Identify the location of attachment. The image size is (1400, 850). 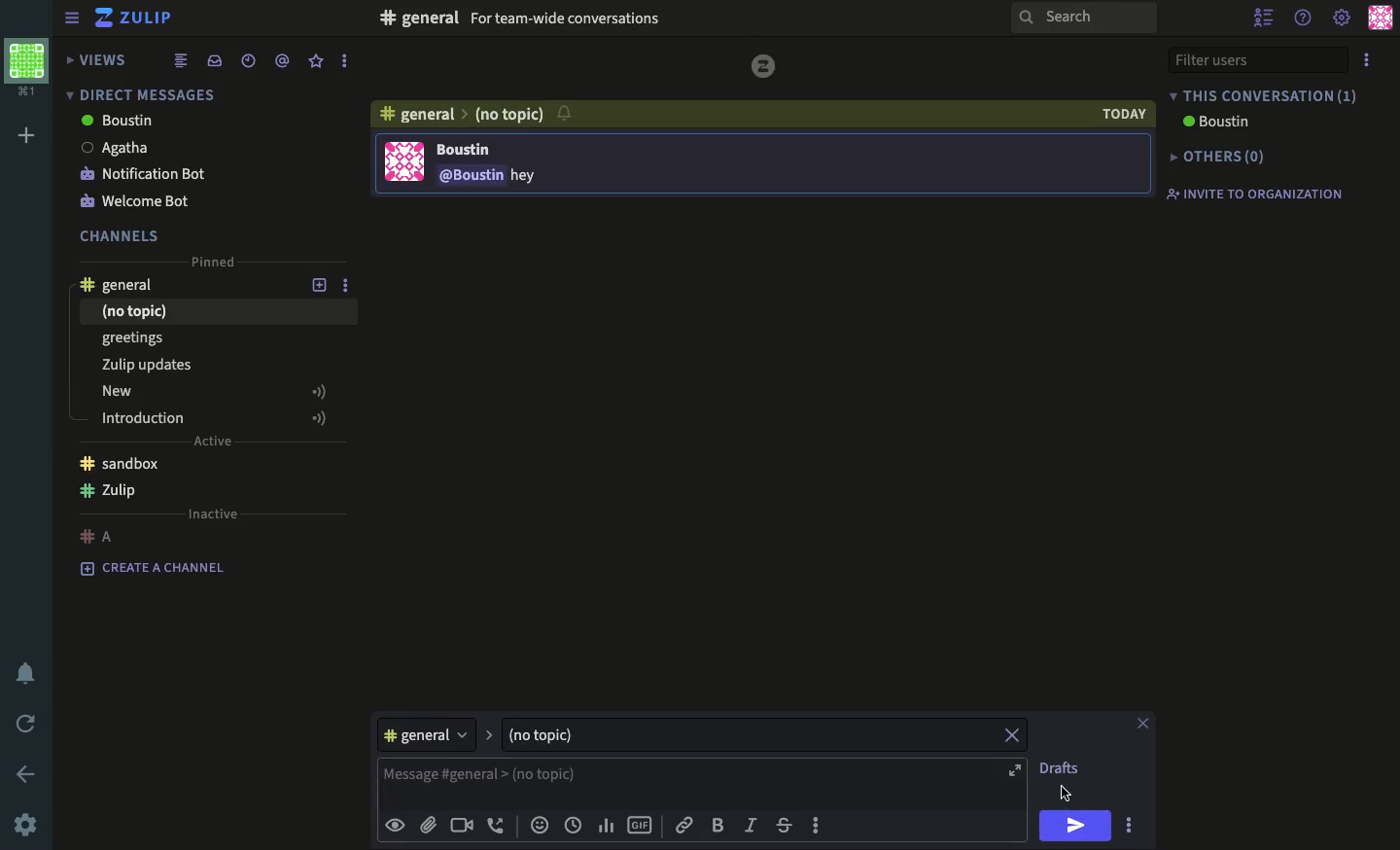
(429, 826).